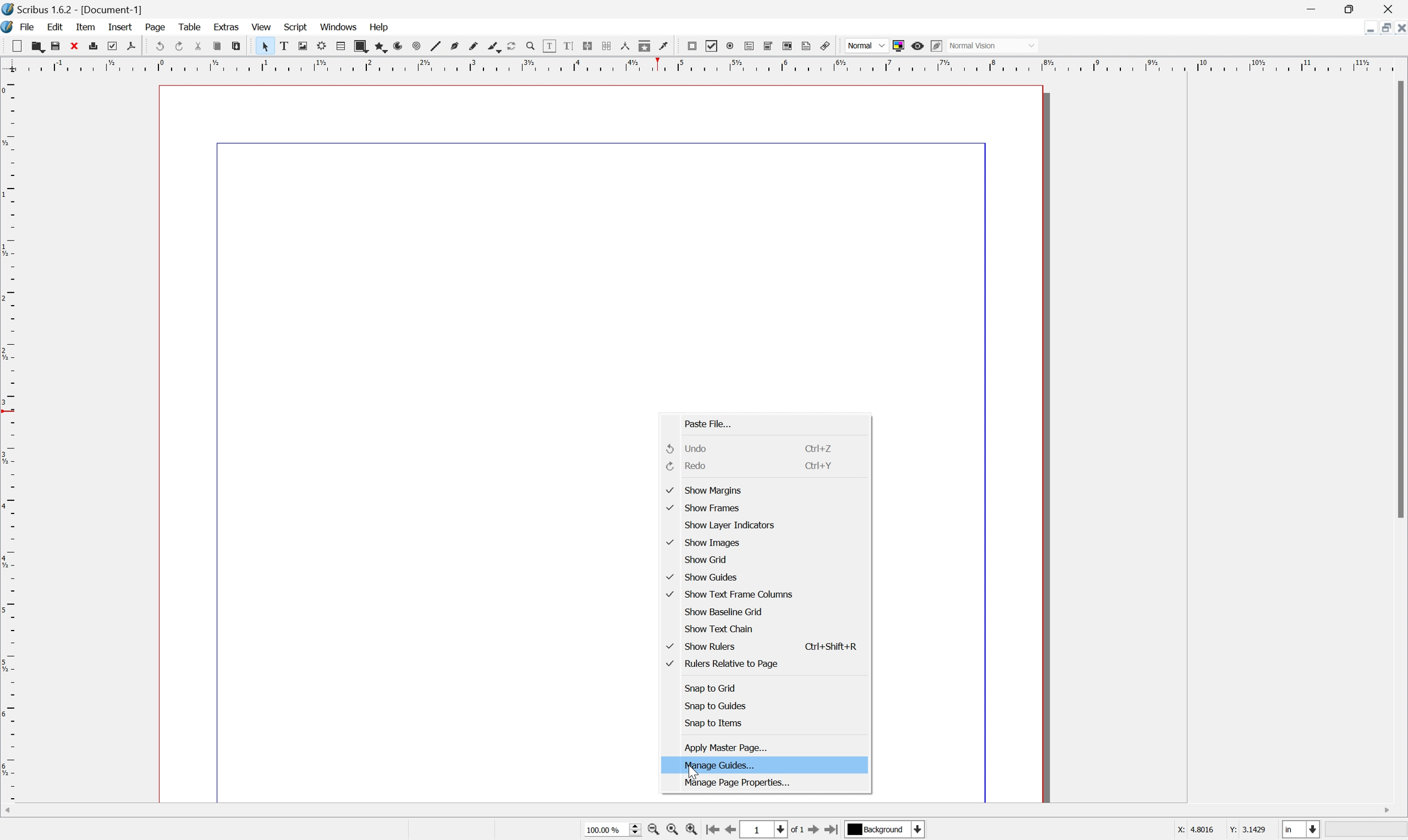 The height and width of the screenshot is (840, 1408). Describe the element at coordinates (866, 45) in the screenshot. I see `normal` at that location.